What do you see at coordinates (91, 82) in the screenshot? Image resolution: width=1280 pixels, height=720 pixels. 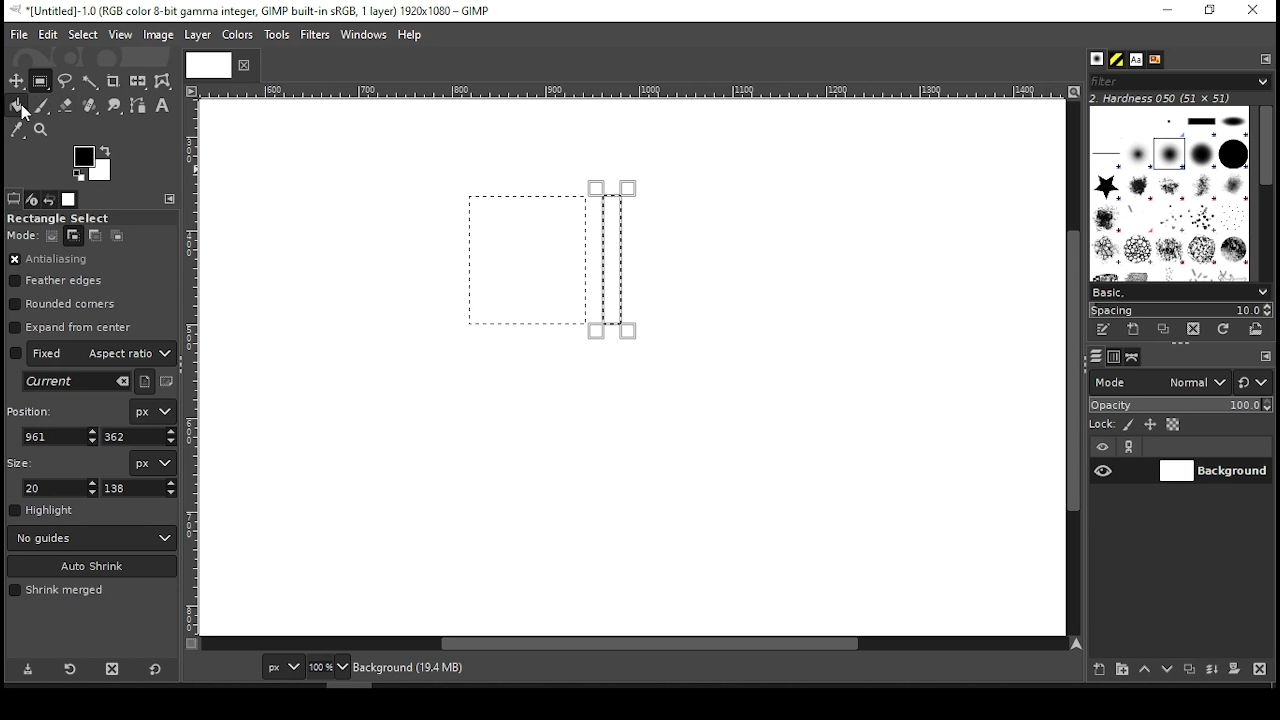 I see `fuzzy selection tool` at bounding box center [91, 82].